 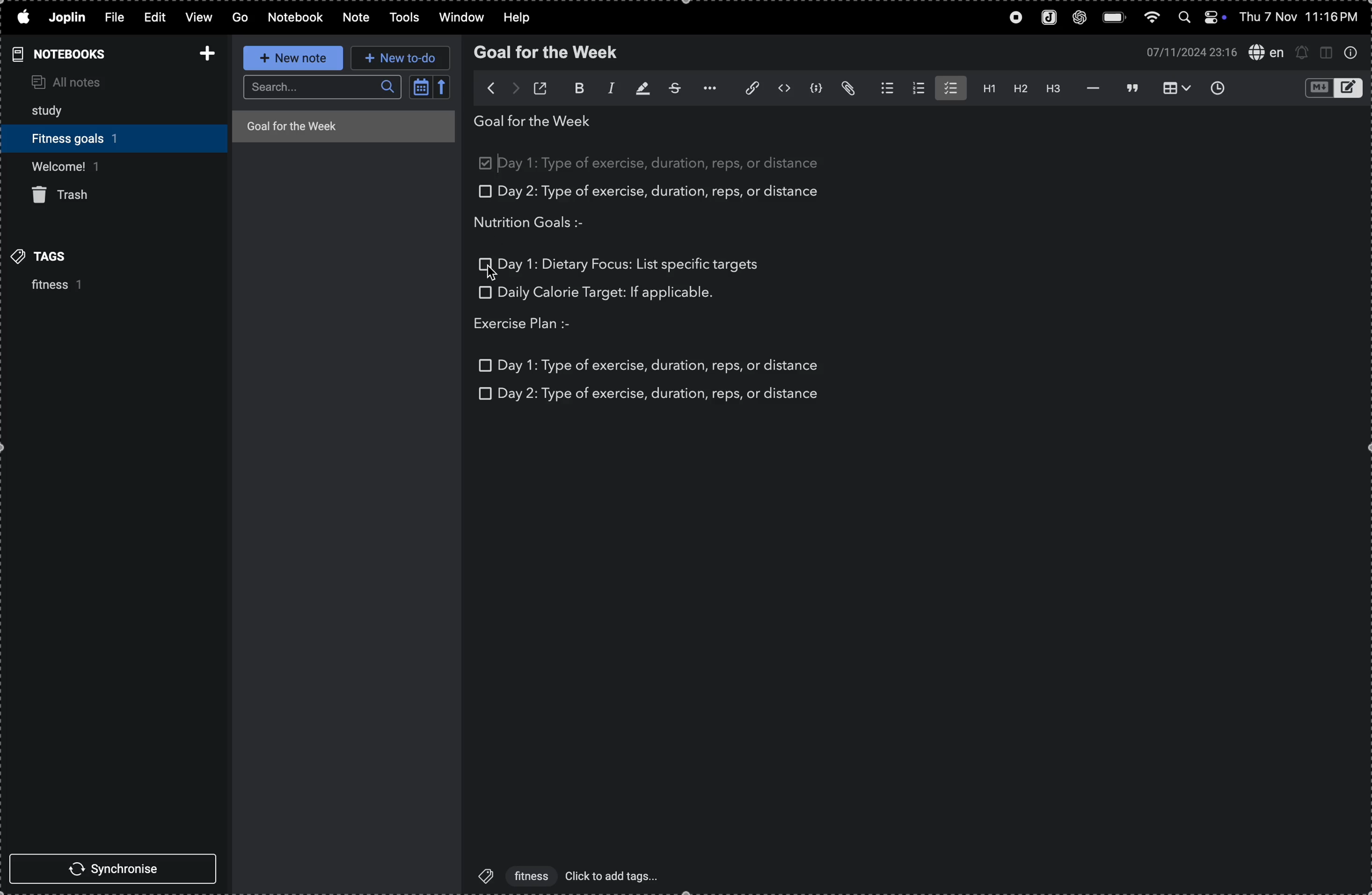 I want to click on toggle editors, so click(x=1330, y=88).